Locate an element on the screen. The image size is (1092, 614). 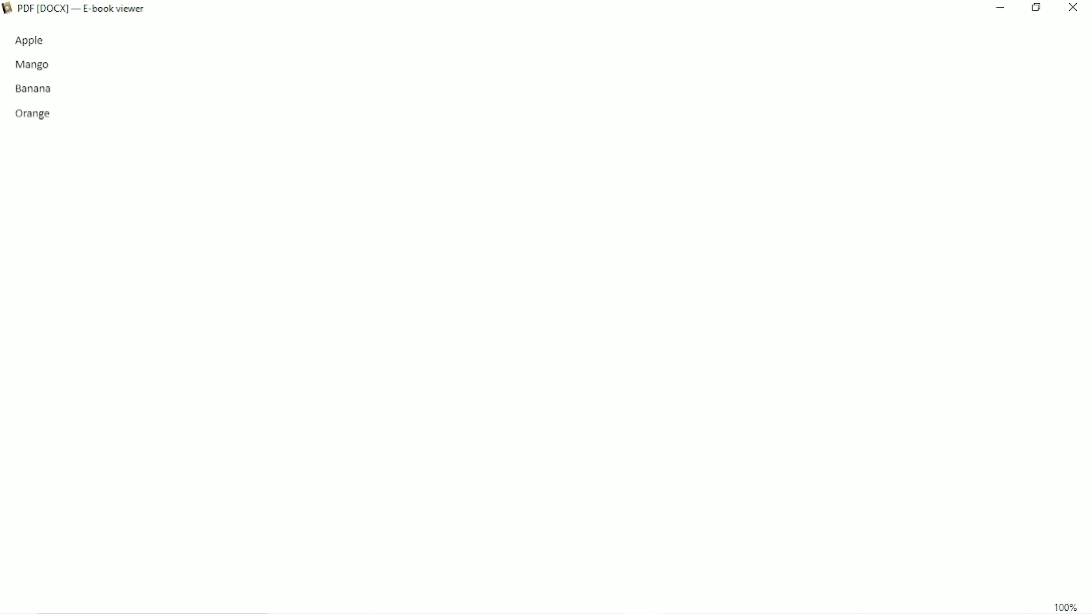
Apple is located at coordinates (37, 40).